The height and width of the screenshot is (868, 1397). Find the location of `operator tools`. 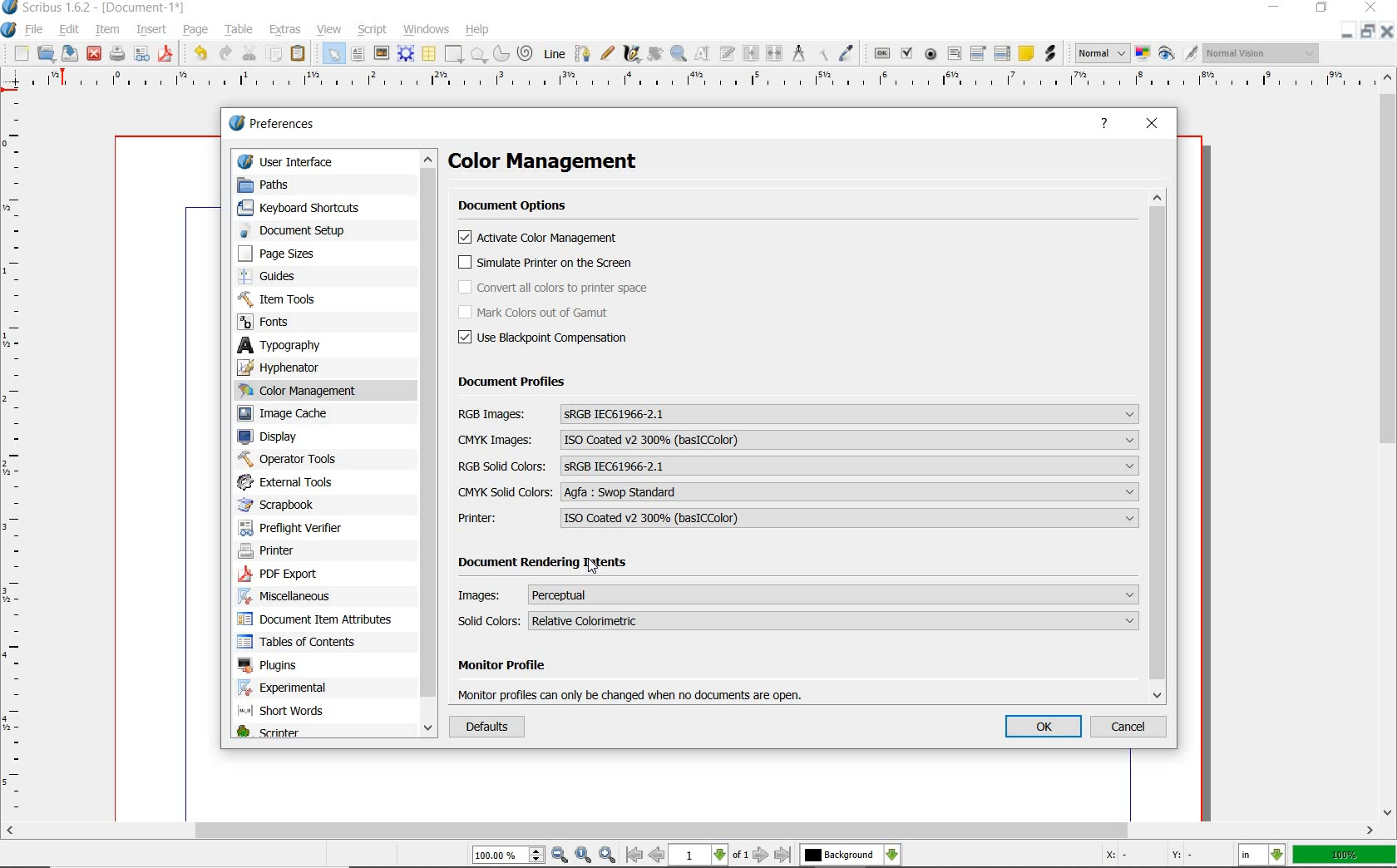

operator tools is located at coordinates (297, 459).